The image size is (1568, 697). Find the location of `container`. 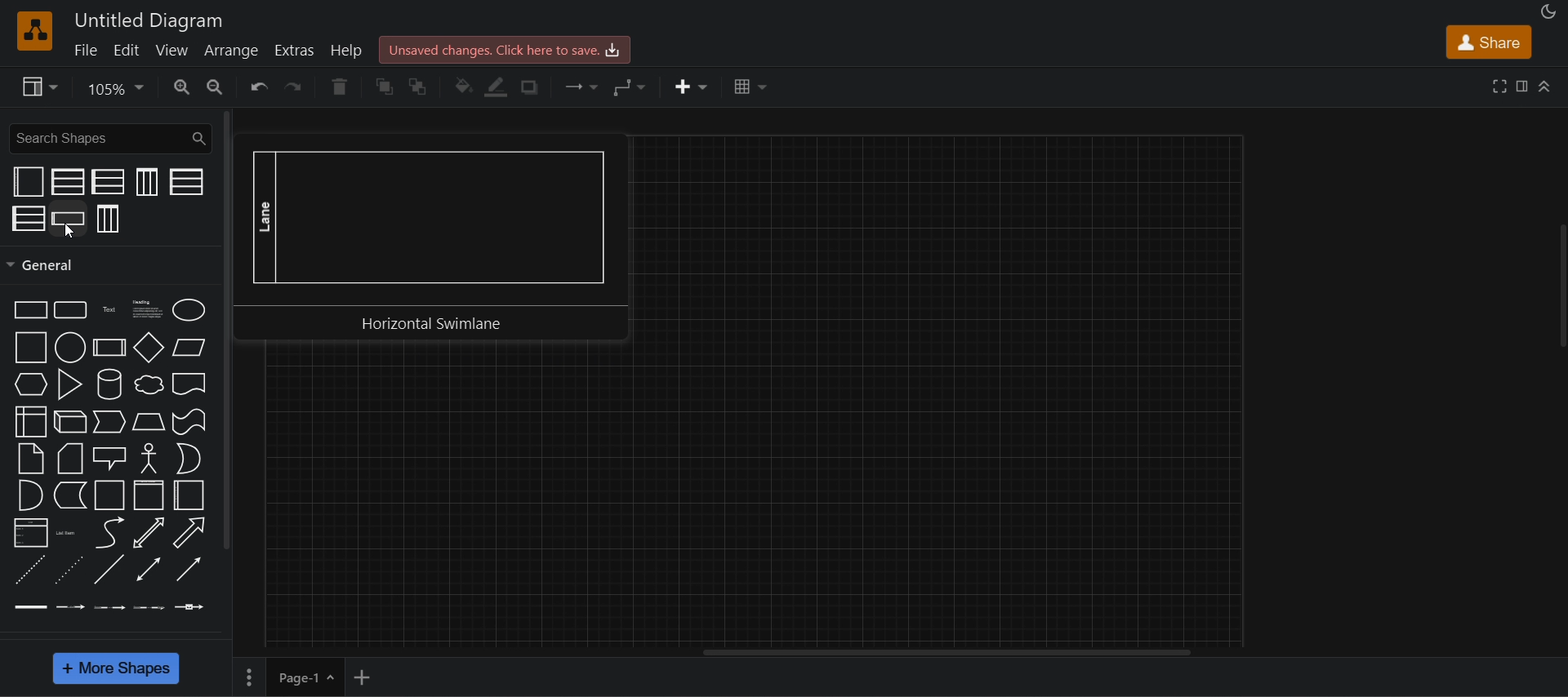

container is located at coordinates (107, 496).